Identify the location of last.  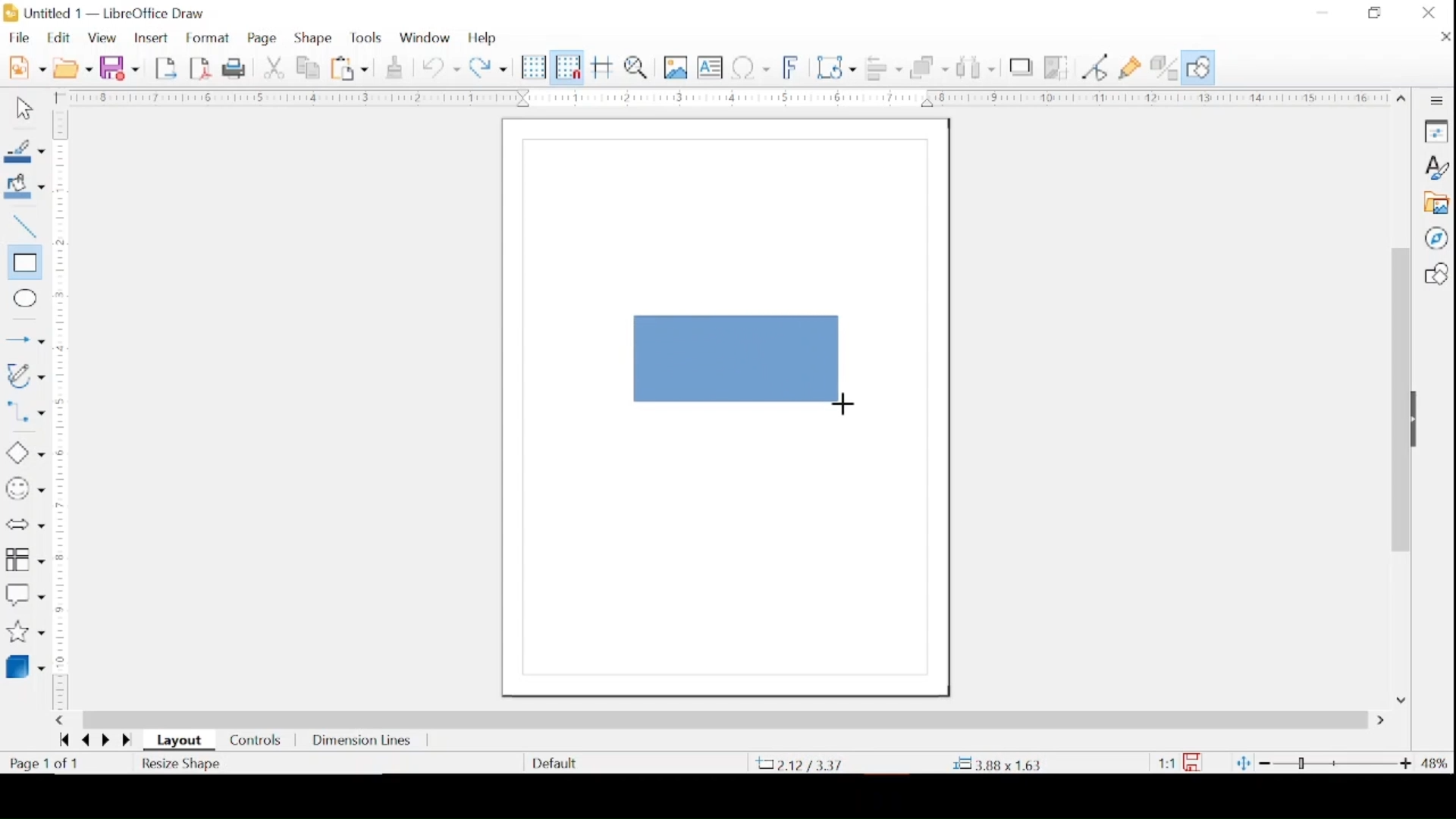
(64, 739).